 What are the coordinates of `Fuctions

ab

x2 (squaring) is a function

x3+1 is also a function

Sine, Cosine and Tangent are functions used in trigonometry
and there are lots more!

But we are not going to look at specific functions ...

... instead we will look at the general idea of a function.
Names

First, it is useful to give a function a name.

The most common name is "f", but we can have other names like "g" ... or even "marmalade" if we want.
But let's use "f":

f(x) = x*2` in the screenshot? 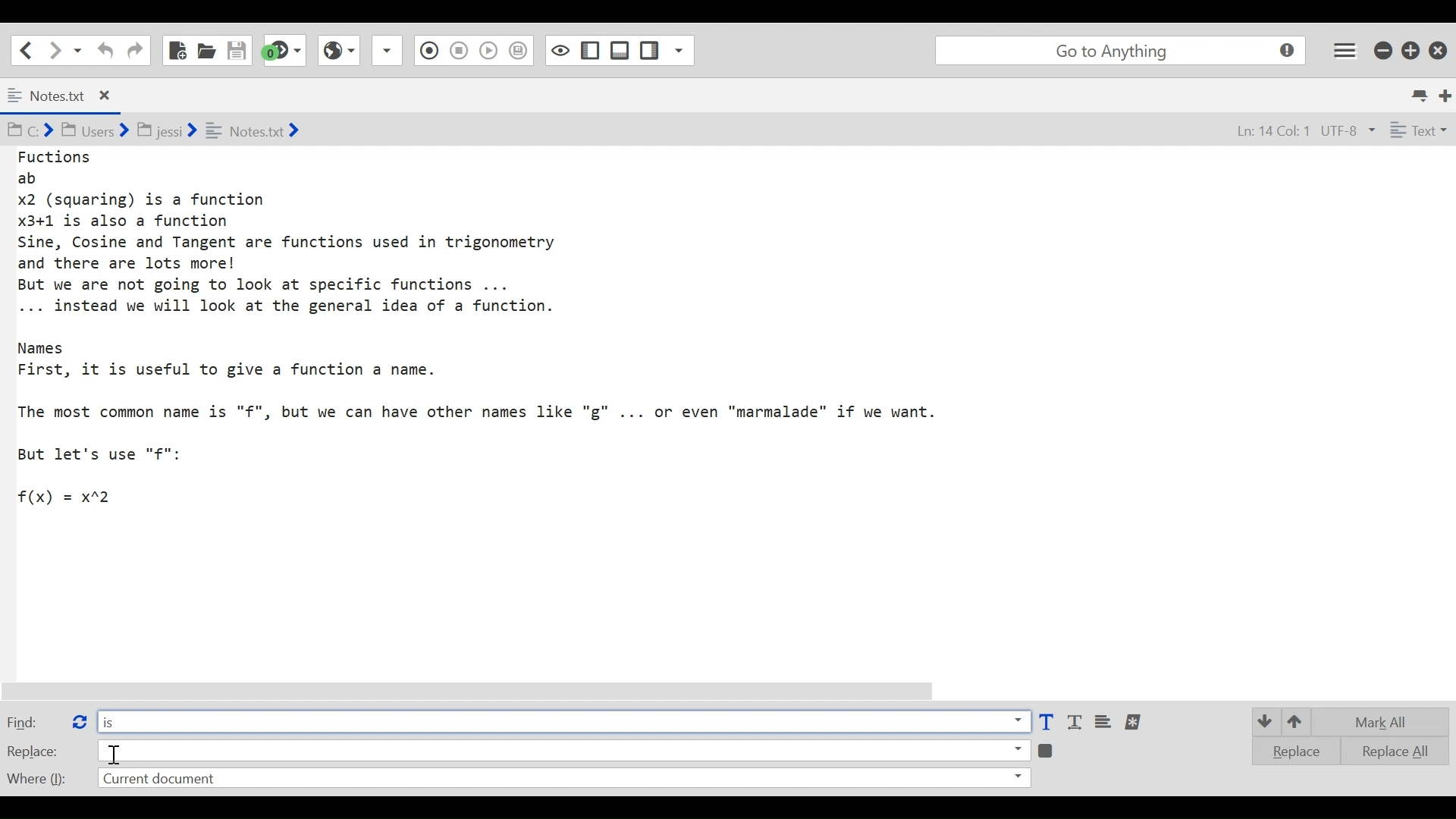 It's located at (496, 328).